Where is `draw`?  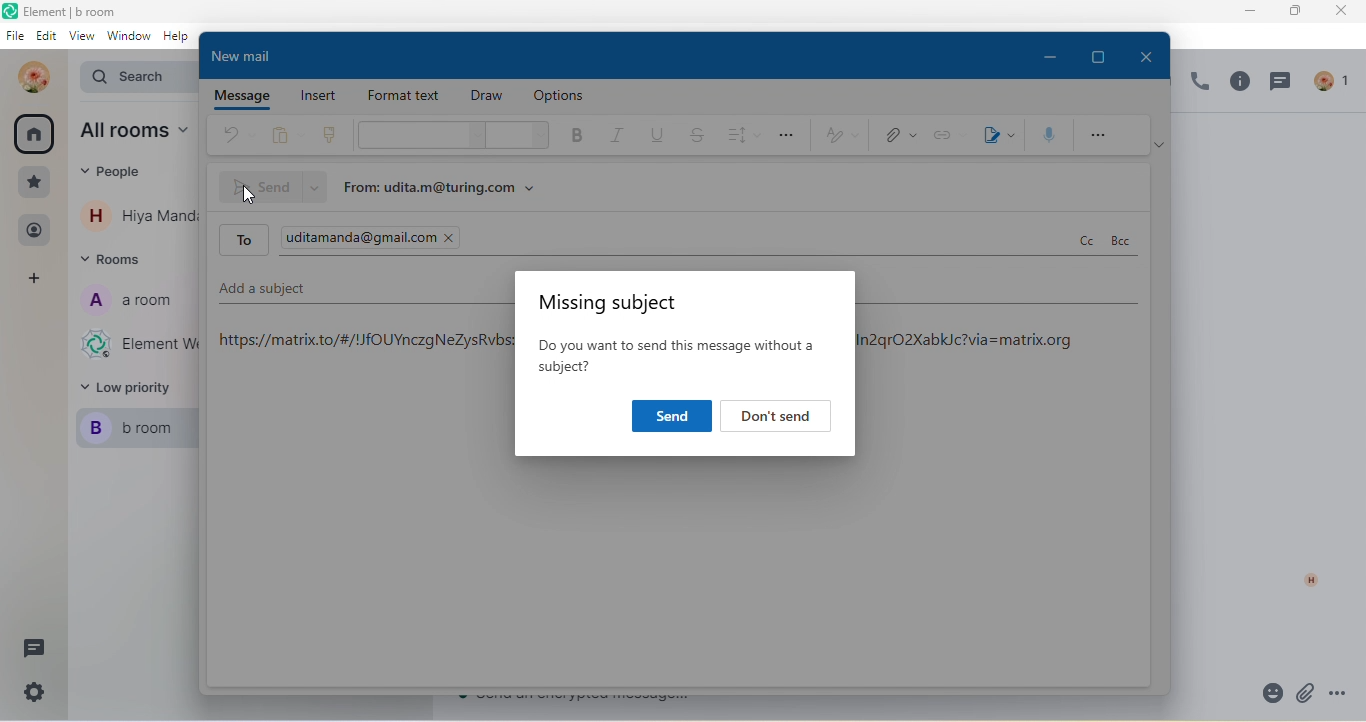 draw is located at coordinates (491, 98).